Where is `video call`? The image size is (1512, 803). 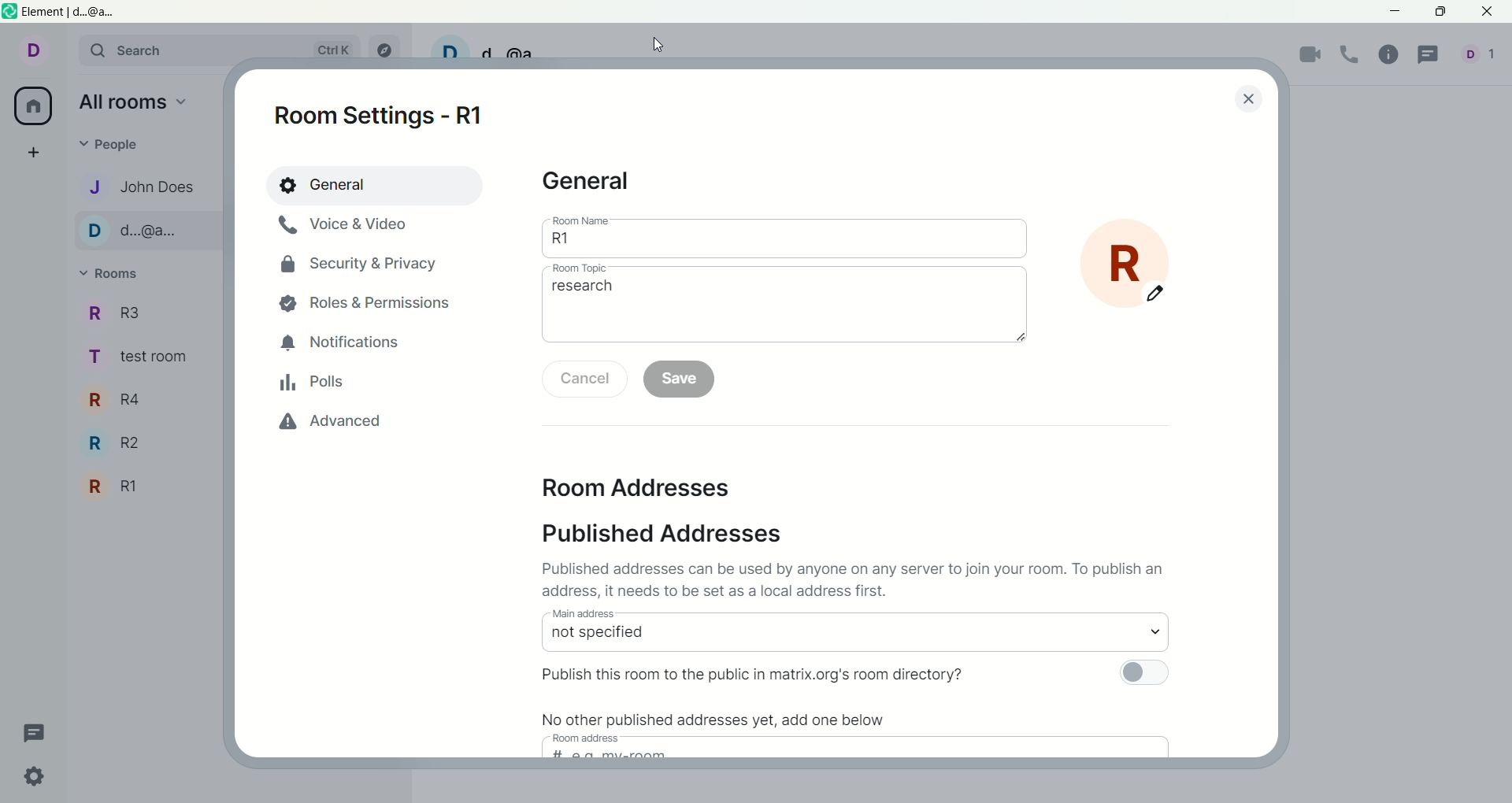
video call is located at coordinates (1311, 57).